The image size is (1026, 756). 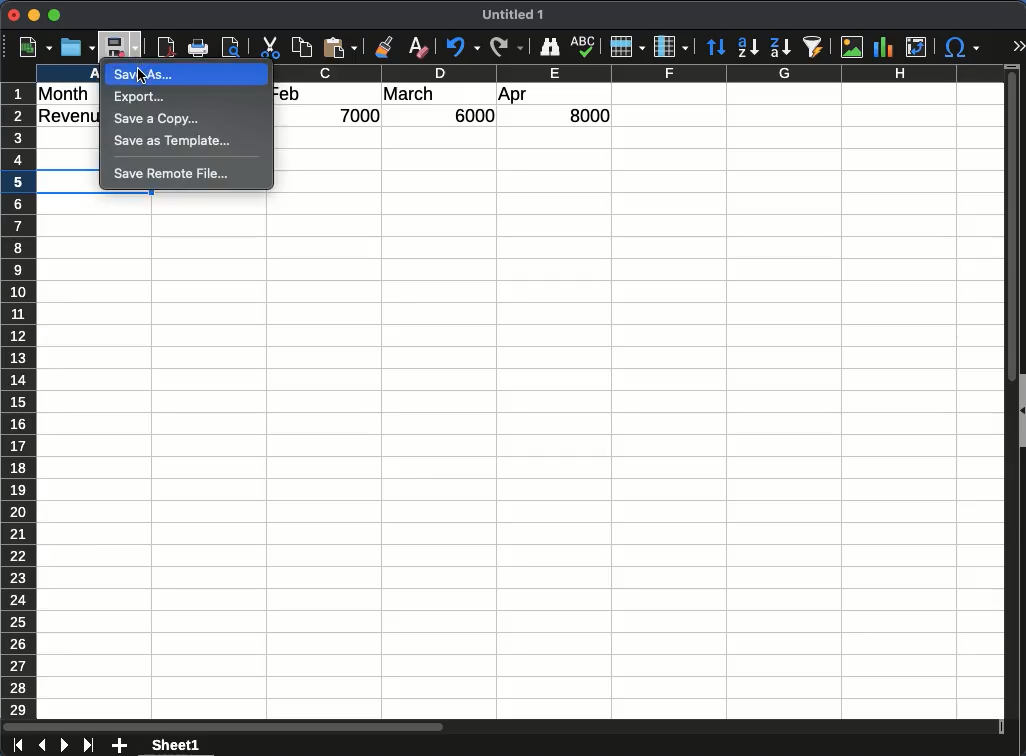 What do you see at coordinates (56, 15) in the screenshot?
I see `maximize` at bounding box center [56, 15].